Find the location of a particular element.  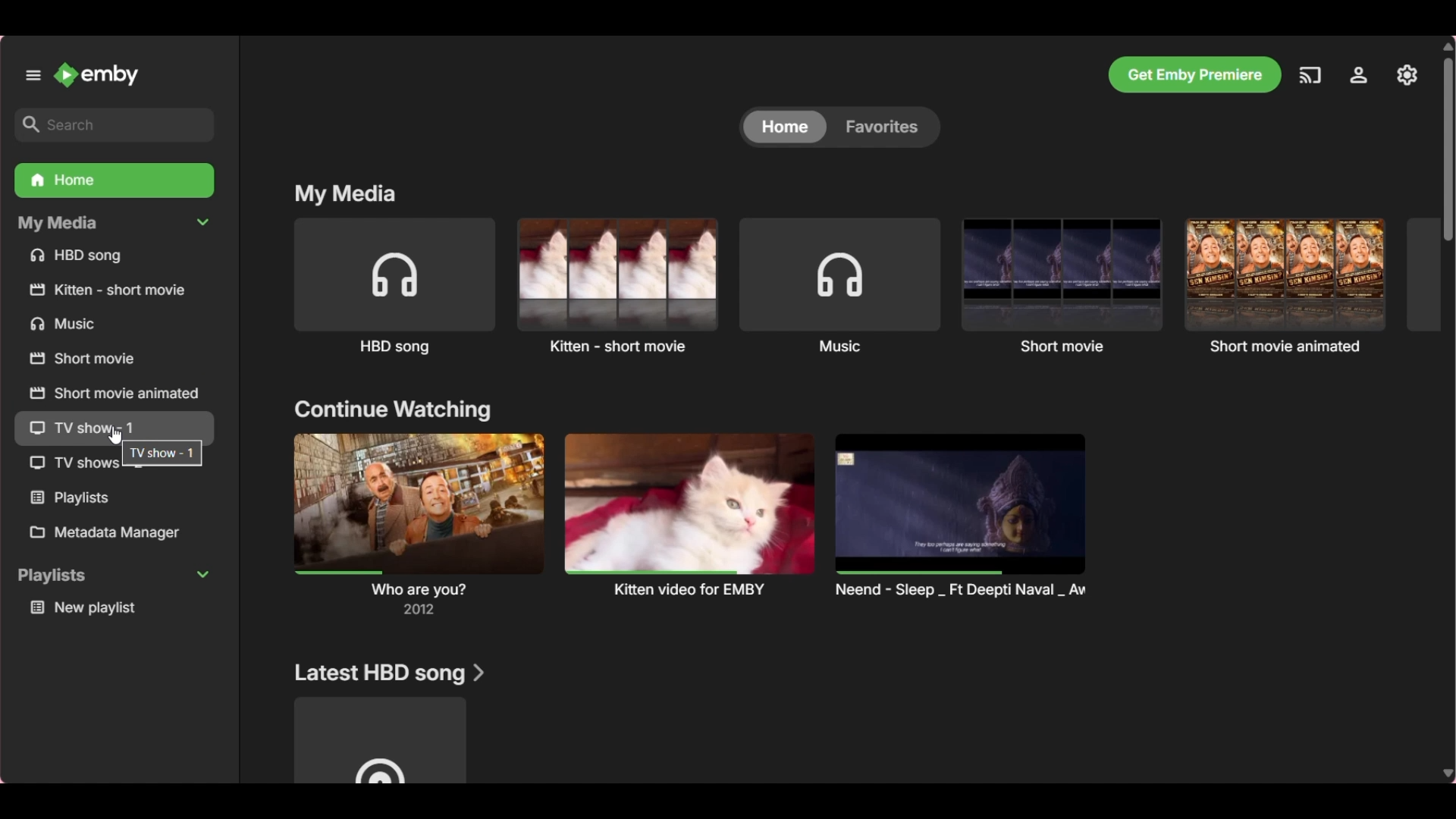

Section title is located at coordinates (346, 193).